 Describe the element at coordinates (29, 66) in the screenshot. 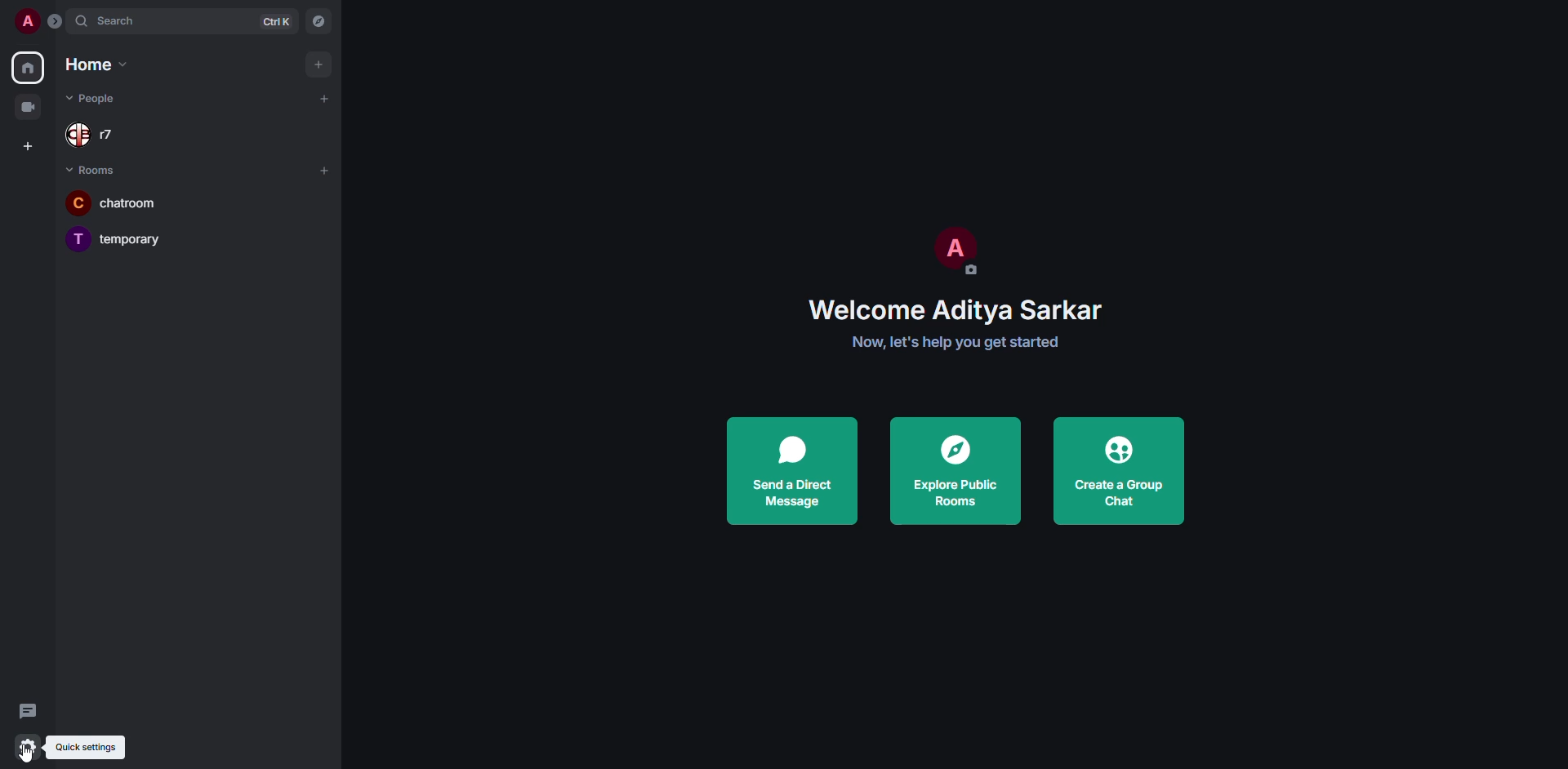

I see `home` at that location.